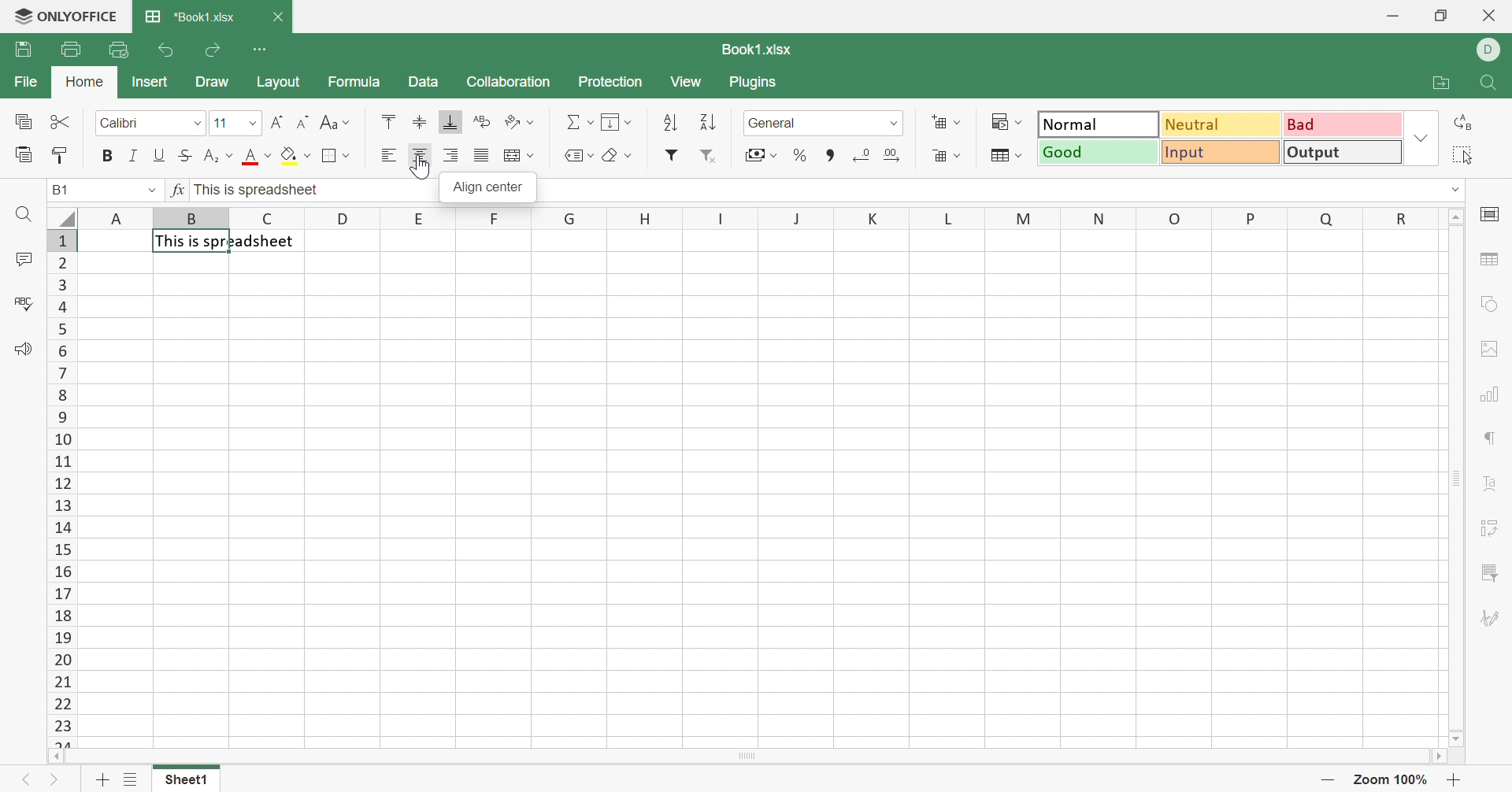 The height and width of the screenshot is (792, 1512). What do you see at coordinates (227, 240) in the screenshot?
I see `This is spreadsheet` at bounding box center [227, 240].